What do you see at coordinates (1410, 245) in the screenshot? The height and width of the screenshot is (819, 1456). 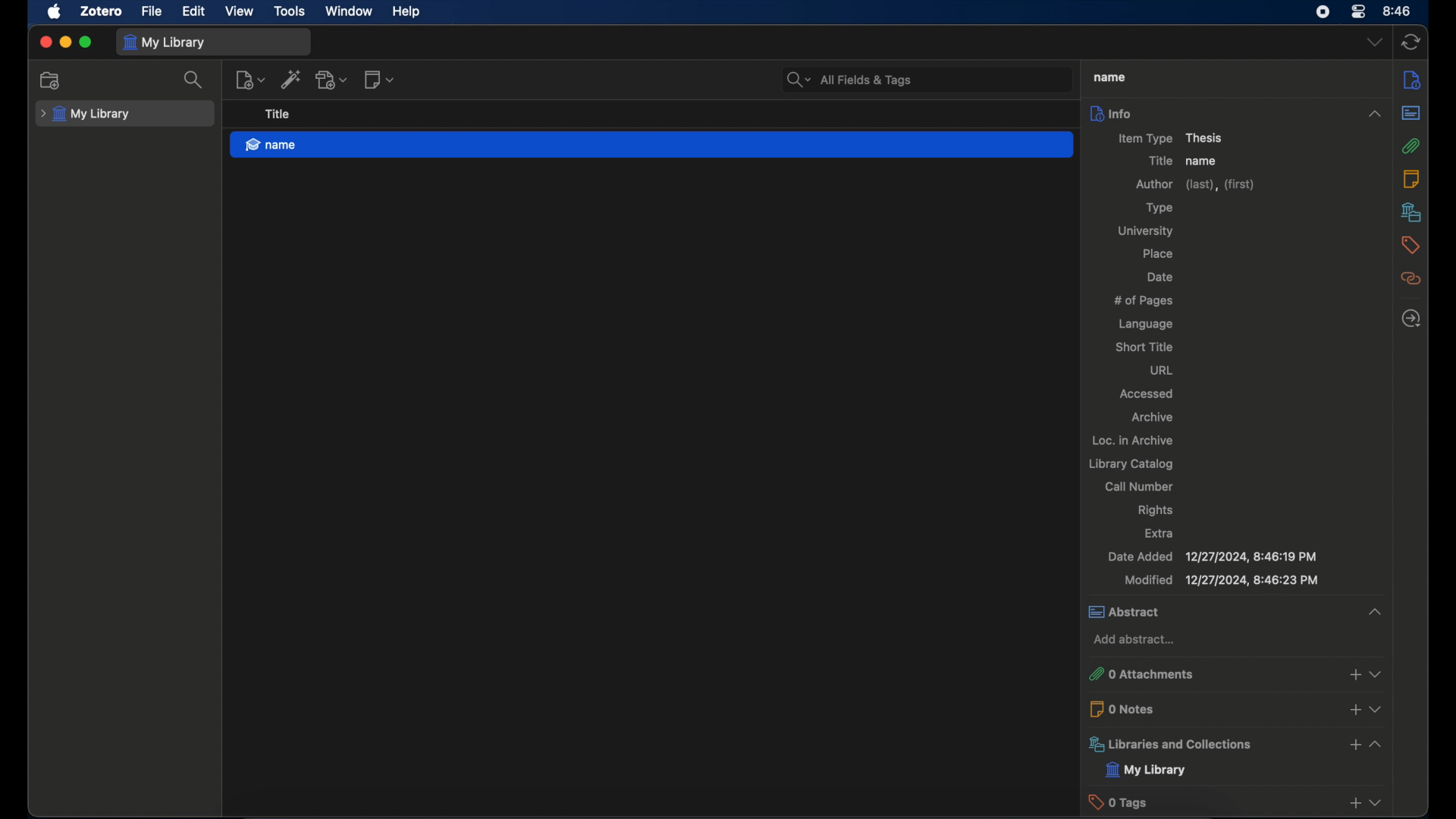 I see `tags` at bounding box center [1410, 245].